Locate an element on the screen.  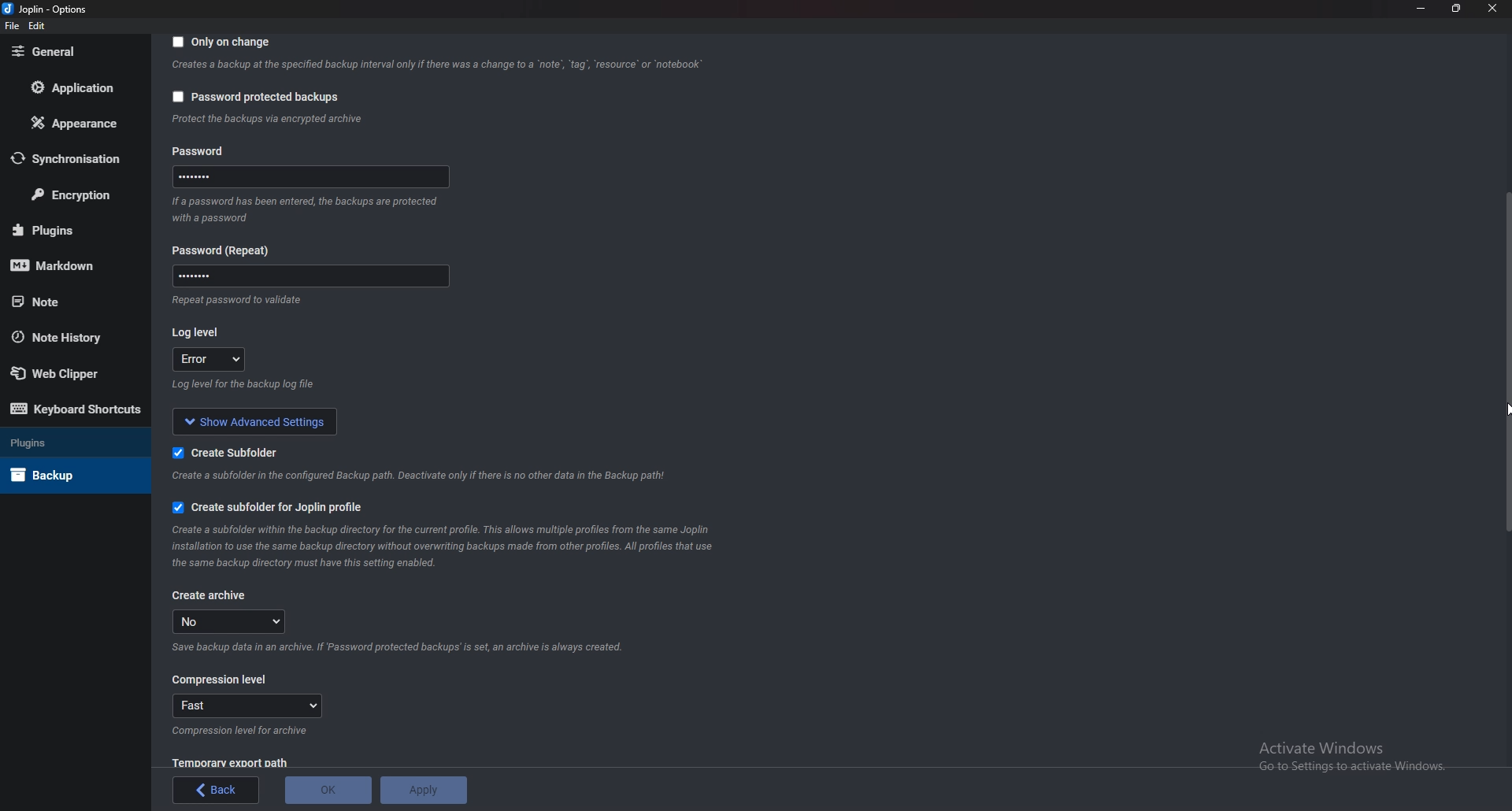
close is located at coordinates (1491, 8).